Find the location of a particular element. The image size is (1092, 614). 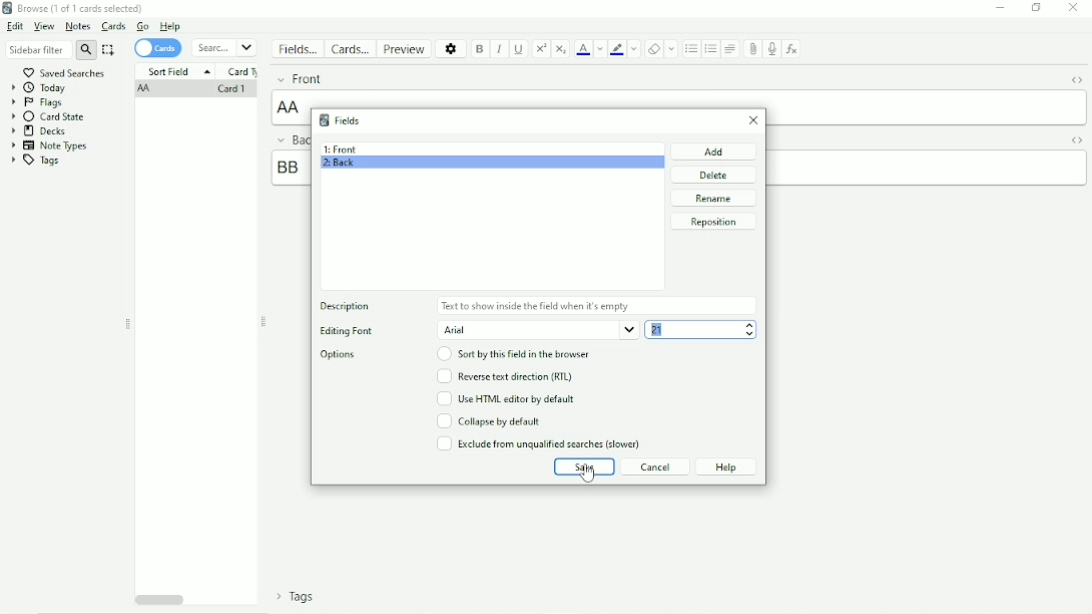

Notes is located at coordinates (78, 26).